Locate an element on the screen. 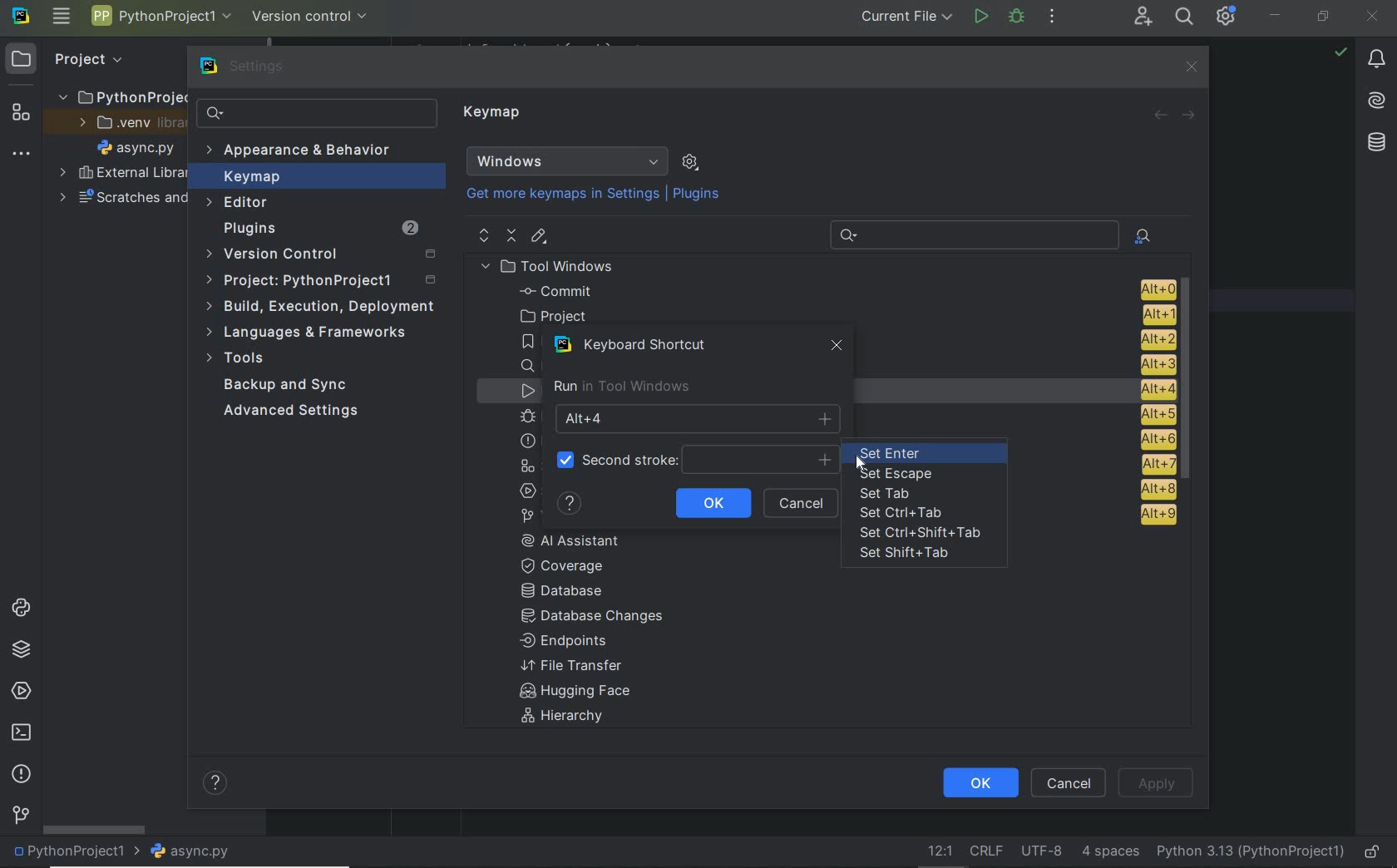 Image resolution: width=1397 pixels, height=868 pixels. Languages & frameworks is located at coordinates (310, 334).